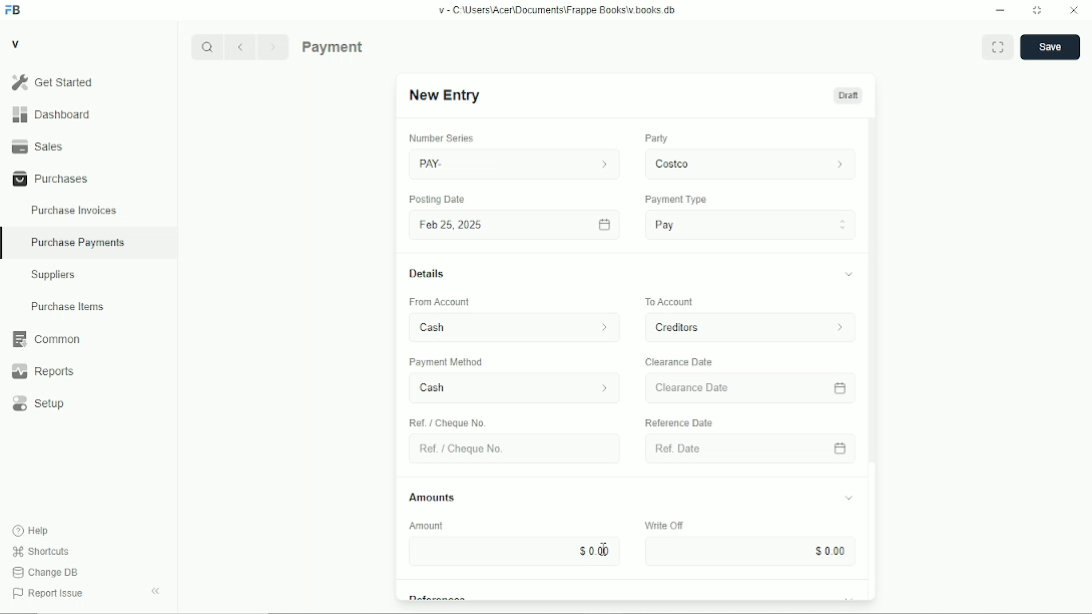 The height and width of the screenshot is (614, 1092). Describe the element at coordinates (843, 386) in the screenshot. I see `calender` at that location.